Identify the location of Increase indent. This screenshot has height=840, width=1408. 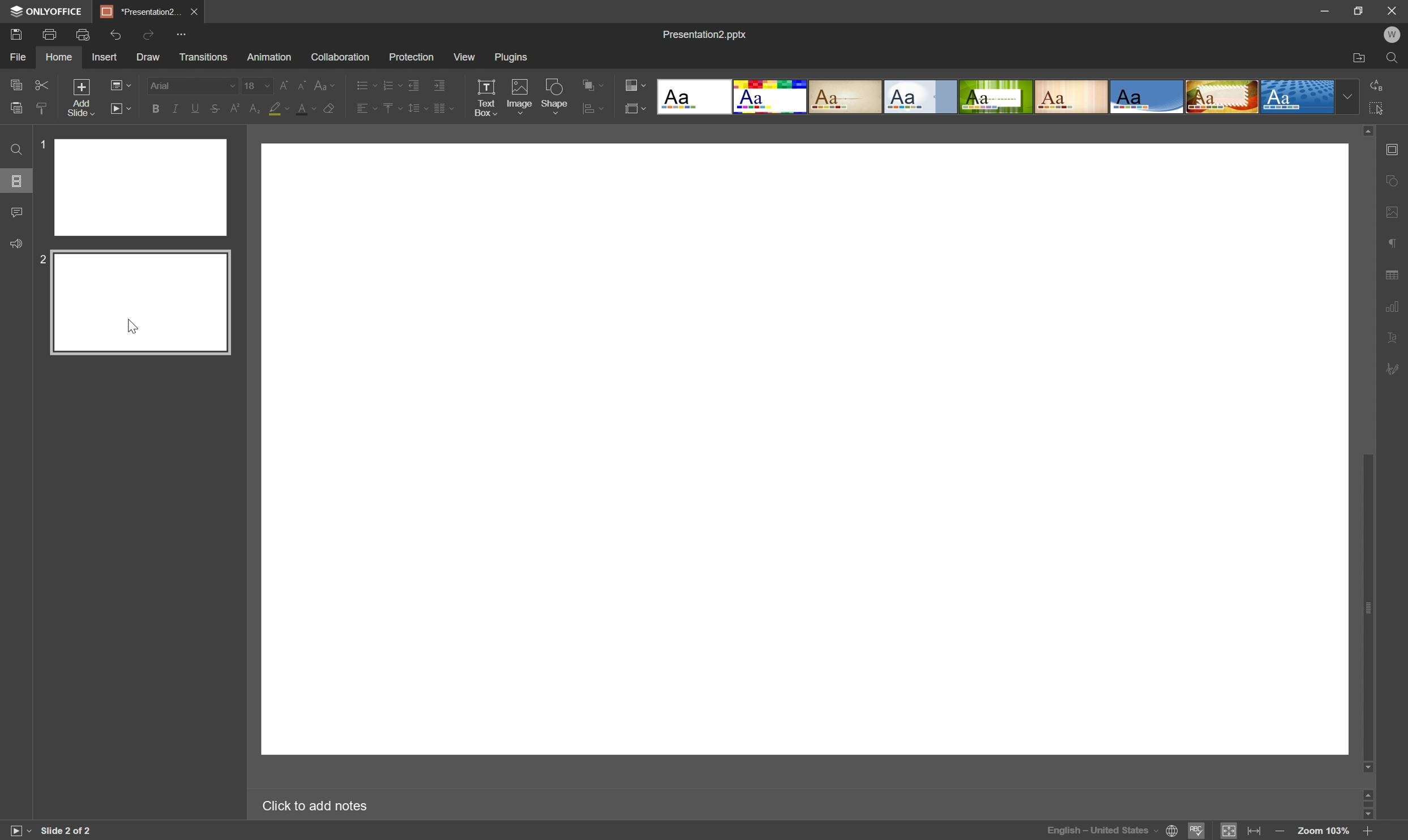
(441, 84).